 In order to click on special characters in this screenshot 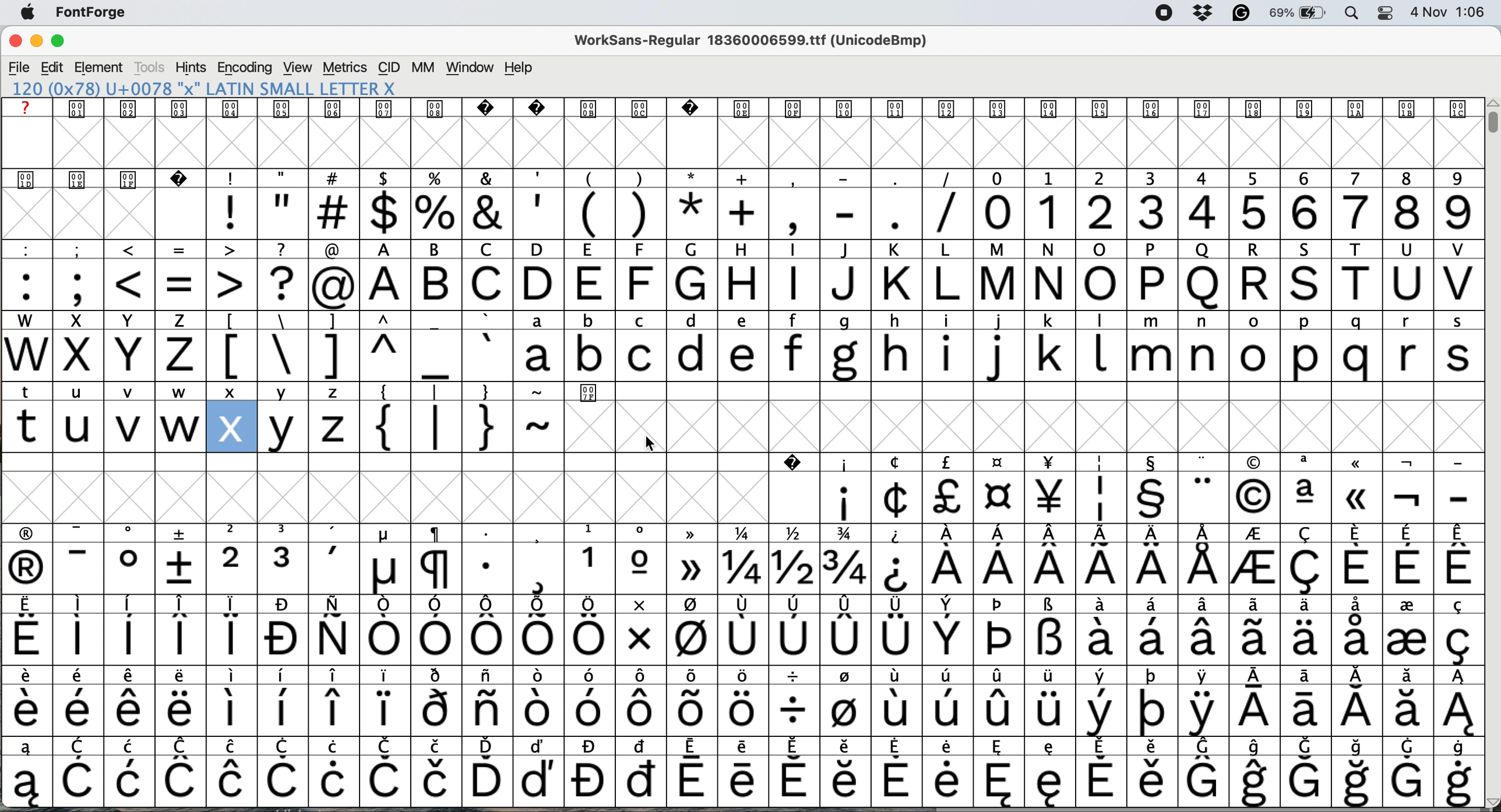, I will do `click(742, 676)`.